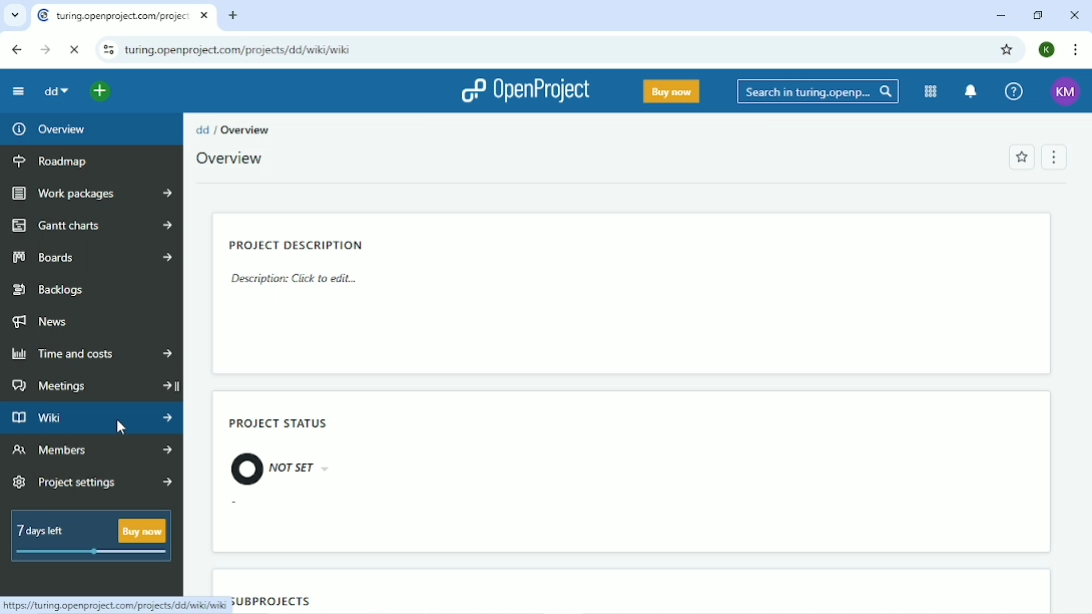 The height and width of the screenshot is (614, 1092). Describe the element at coordinates (107, 51) in the screenshot. I see `View site information` at that location.